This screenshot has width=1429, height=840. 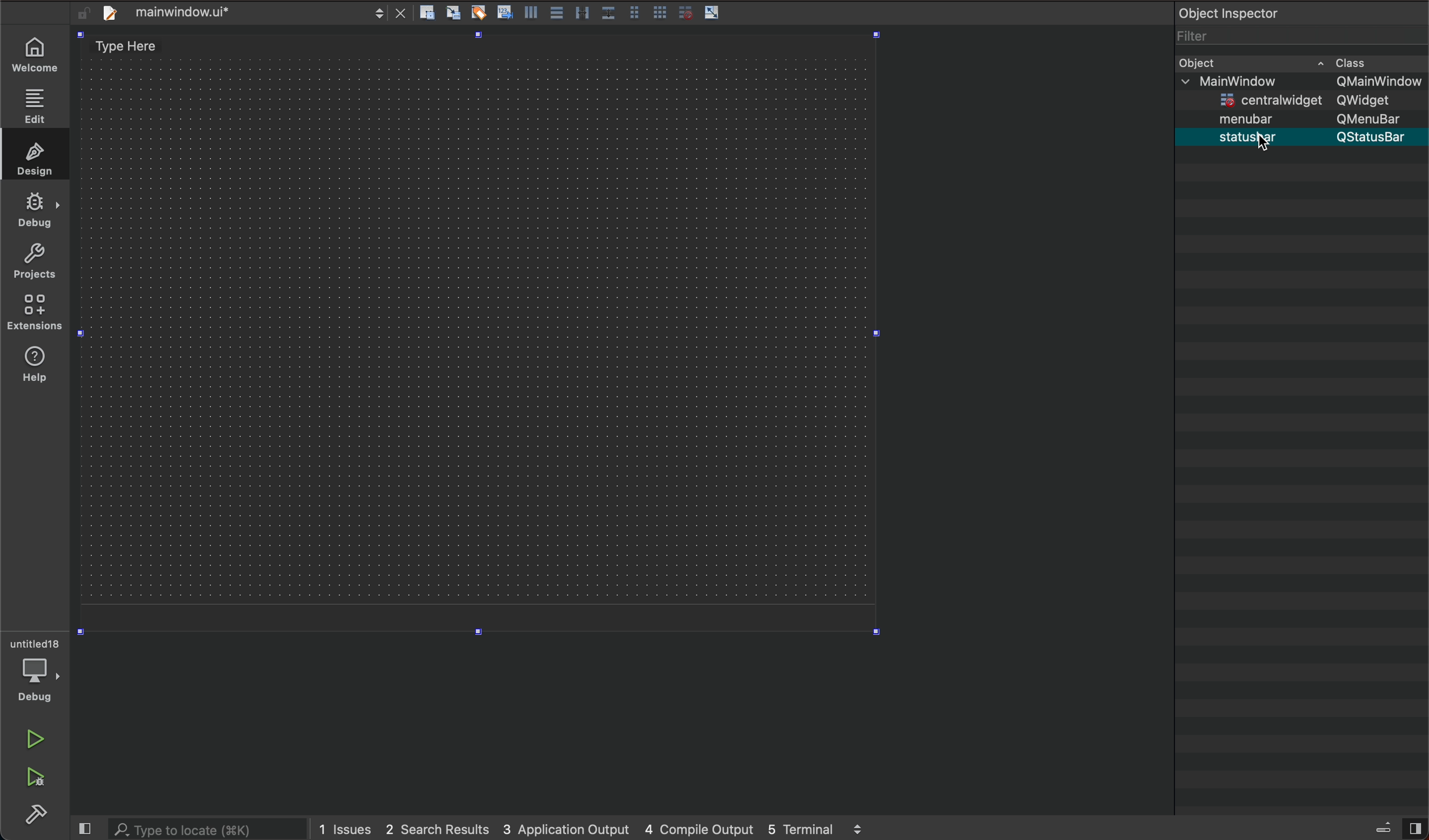 What do you see at coordinates (1313, 139) in the screenshot?
I see `statusbar Qstatusbar` at bounding box center [1313, 139].